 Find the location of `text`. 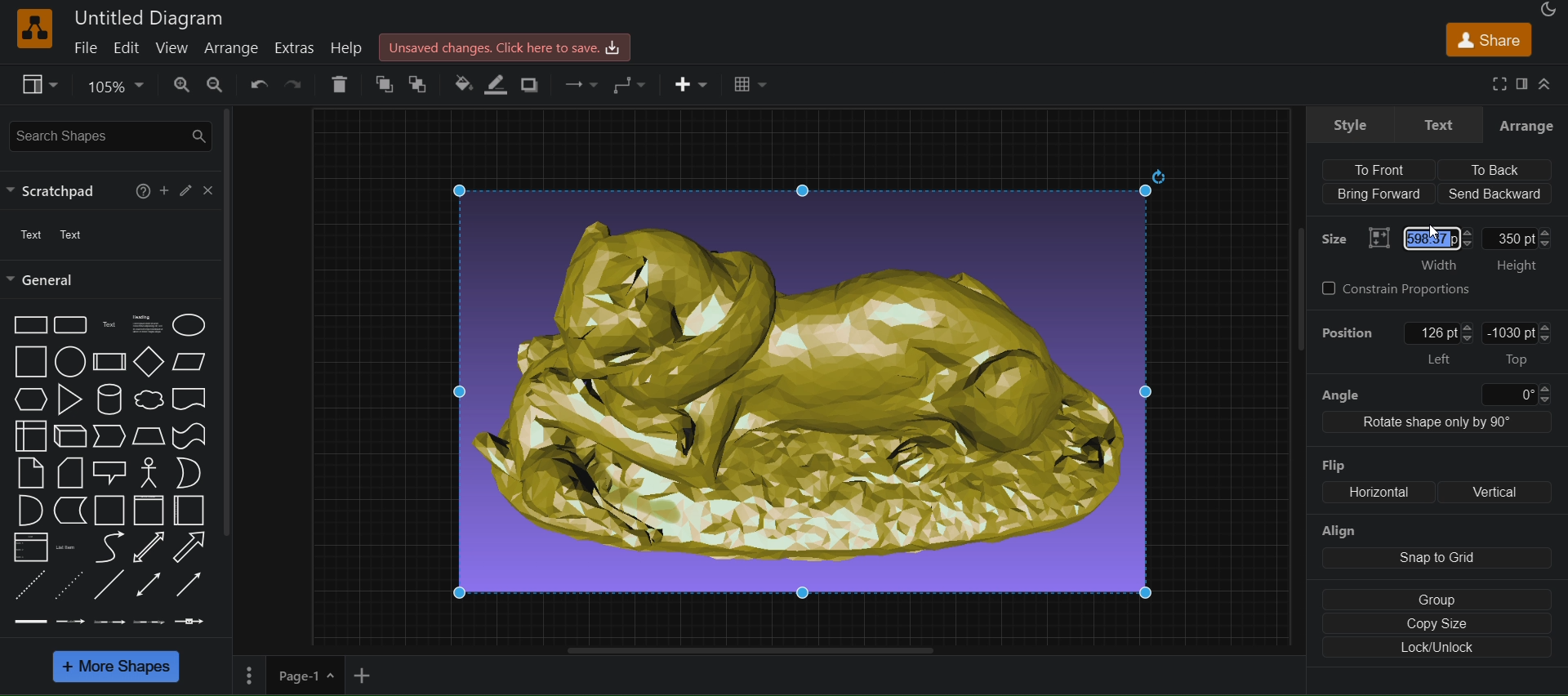

text is located at coordinates (1437, 124).